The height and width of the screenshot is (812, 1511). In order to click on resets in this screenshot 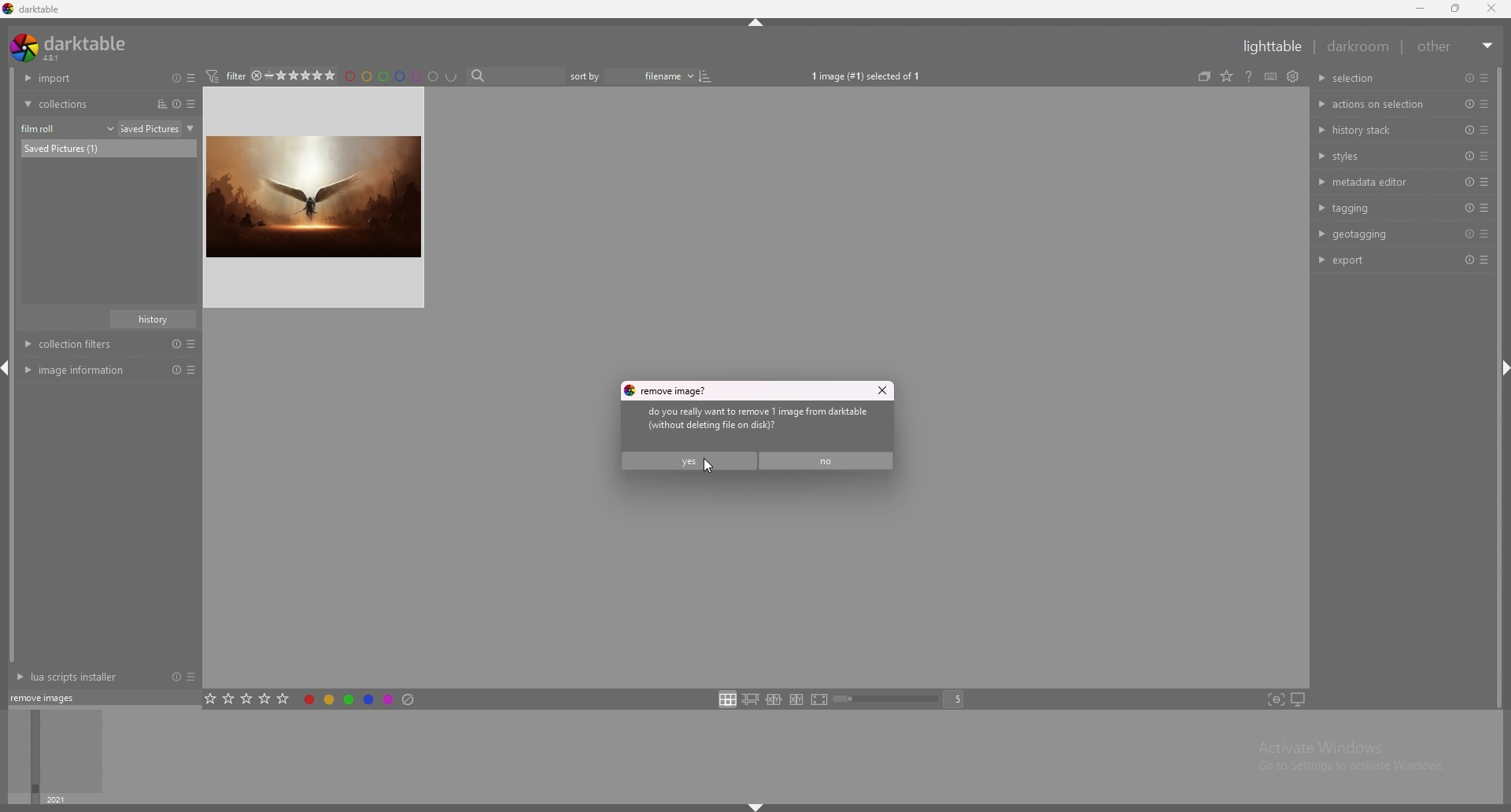, I will do `click(173, 77)`.